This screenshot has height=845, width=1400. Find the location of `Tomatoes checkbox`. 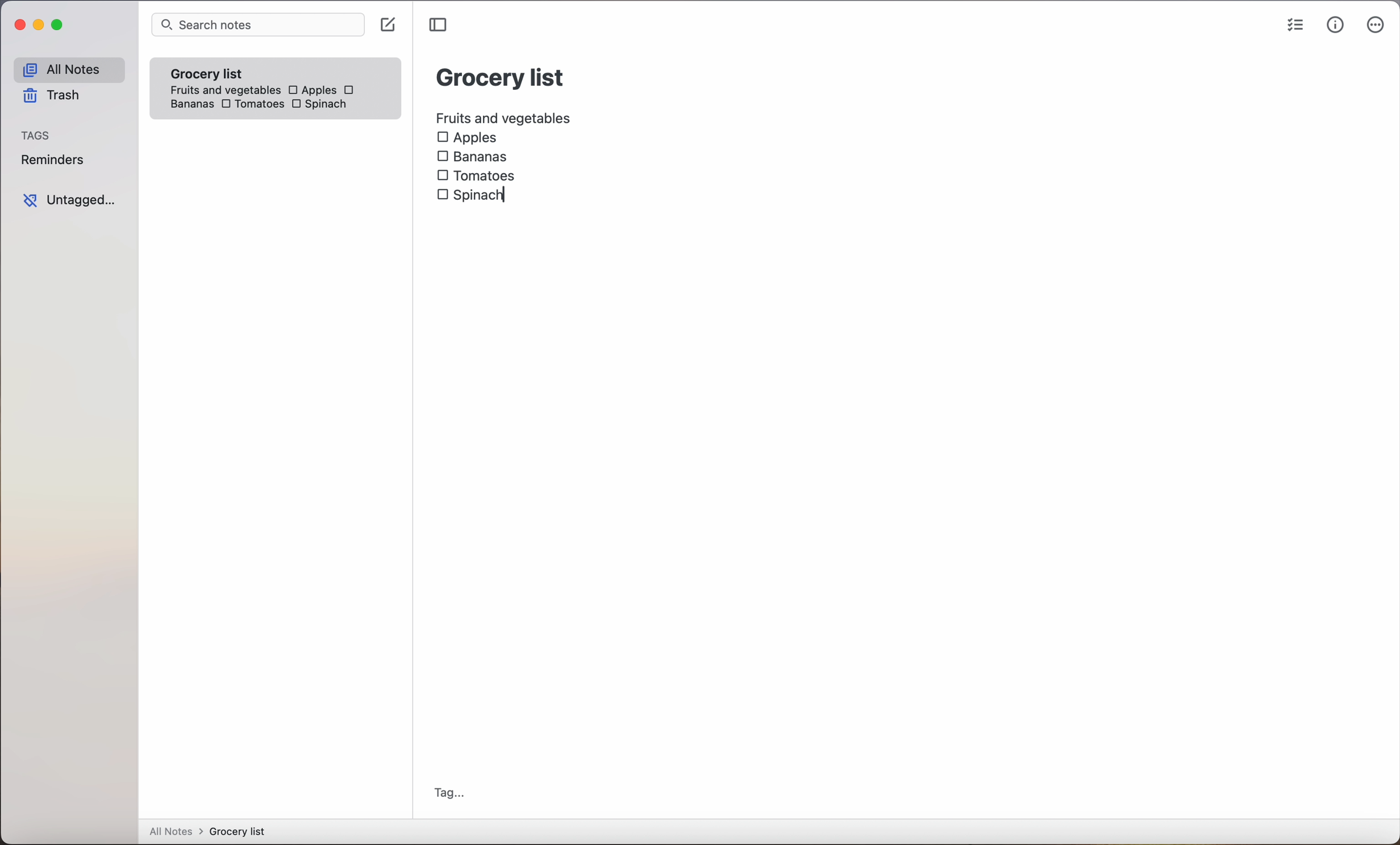

Tomatoes checkbox is located at coordinates (251, 105).